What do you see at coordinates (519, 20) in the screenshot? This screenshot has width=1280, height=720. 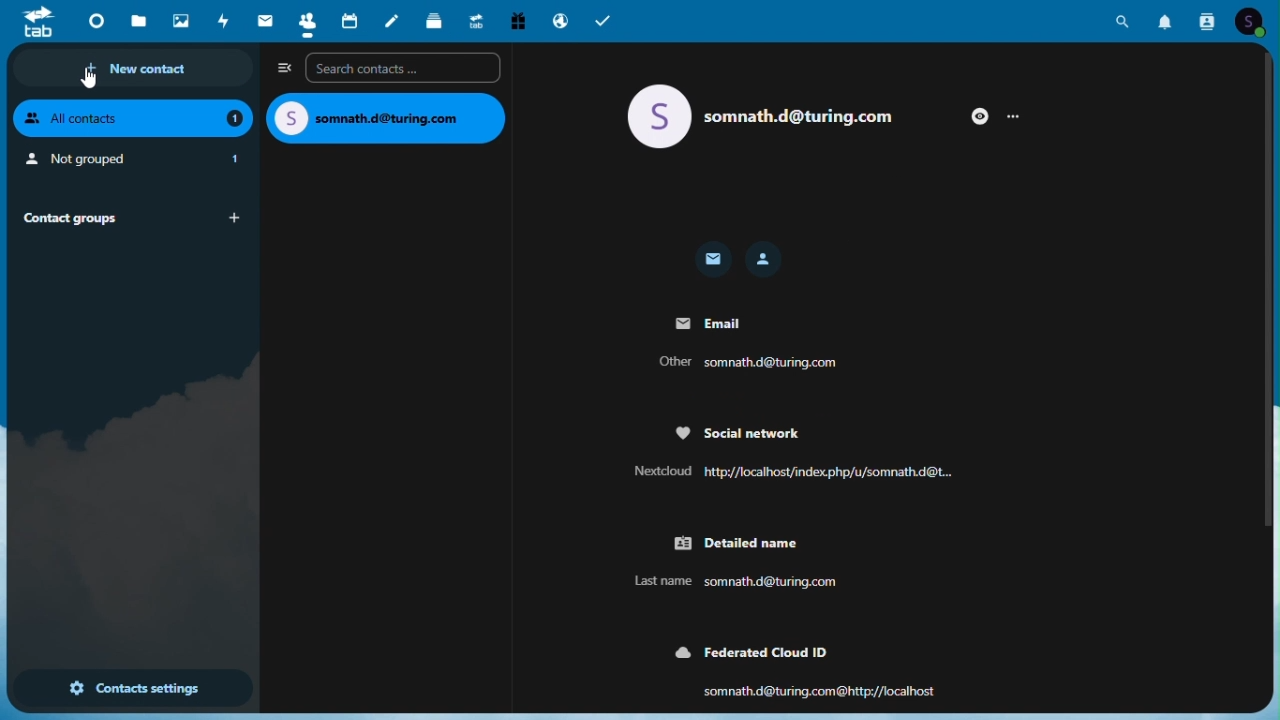 I see `free trial` at bounding box center [519, 20].